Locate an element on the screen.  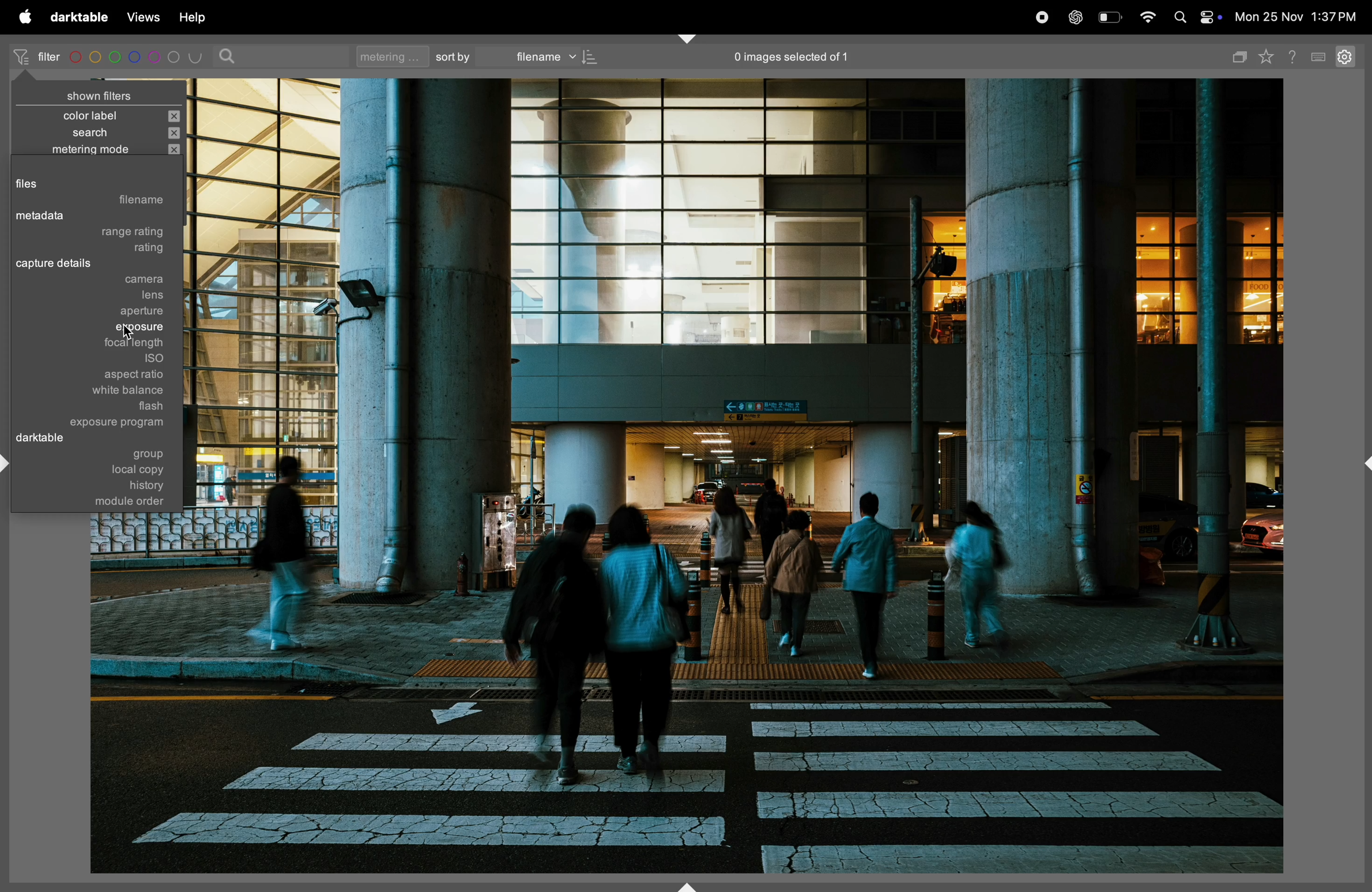
darktable menu is located at coordinates (79, 17).